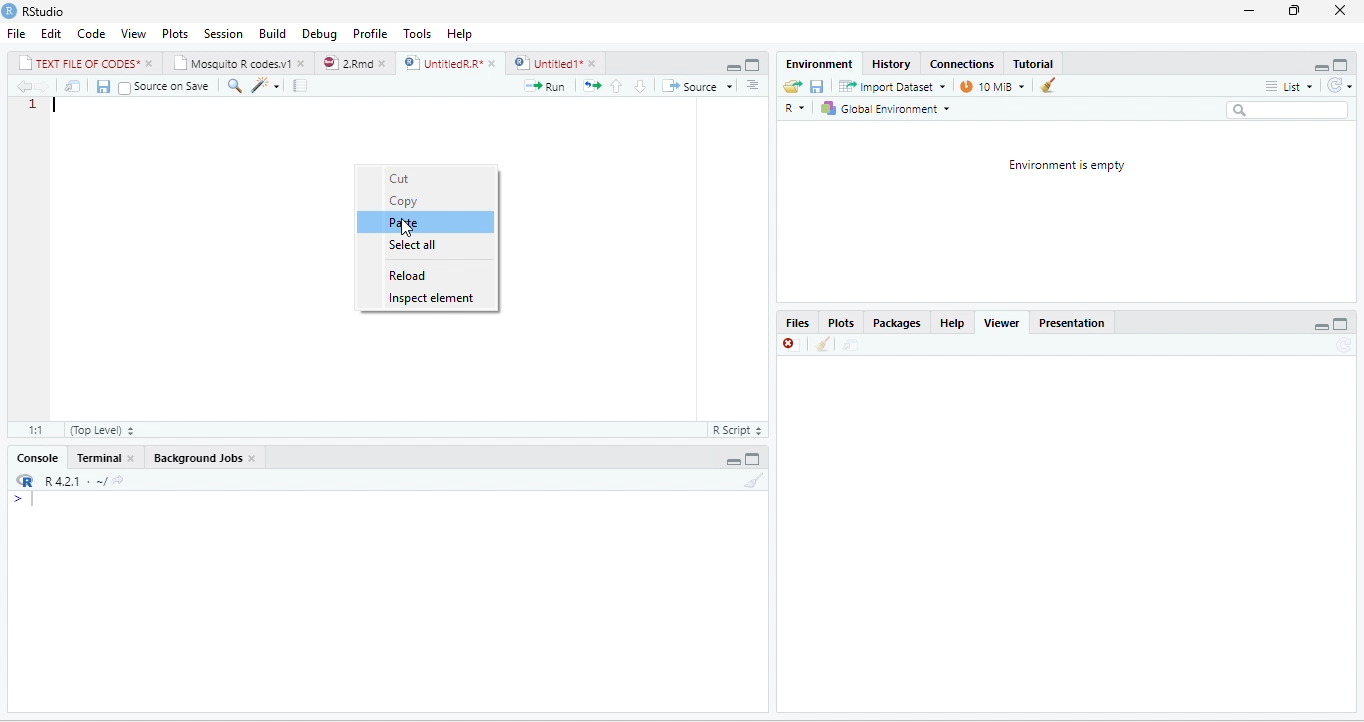 This screenshot has width=1364, height=722. What do you see at coordinates (492, 62) in the screenshot?
I see `close` at bounding box center [492, 62].